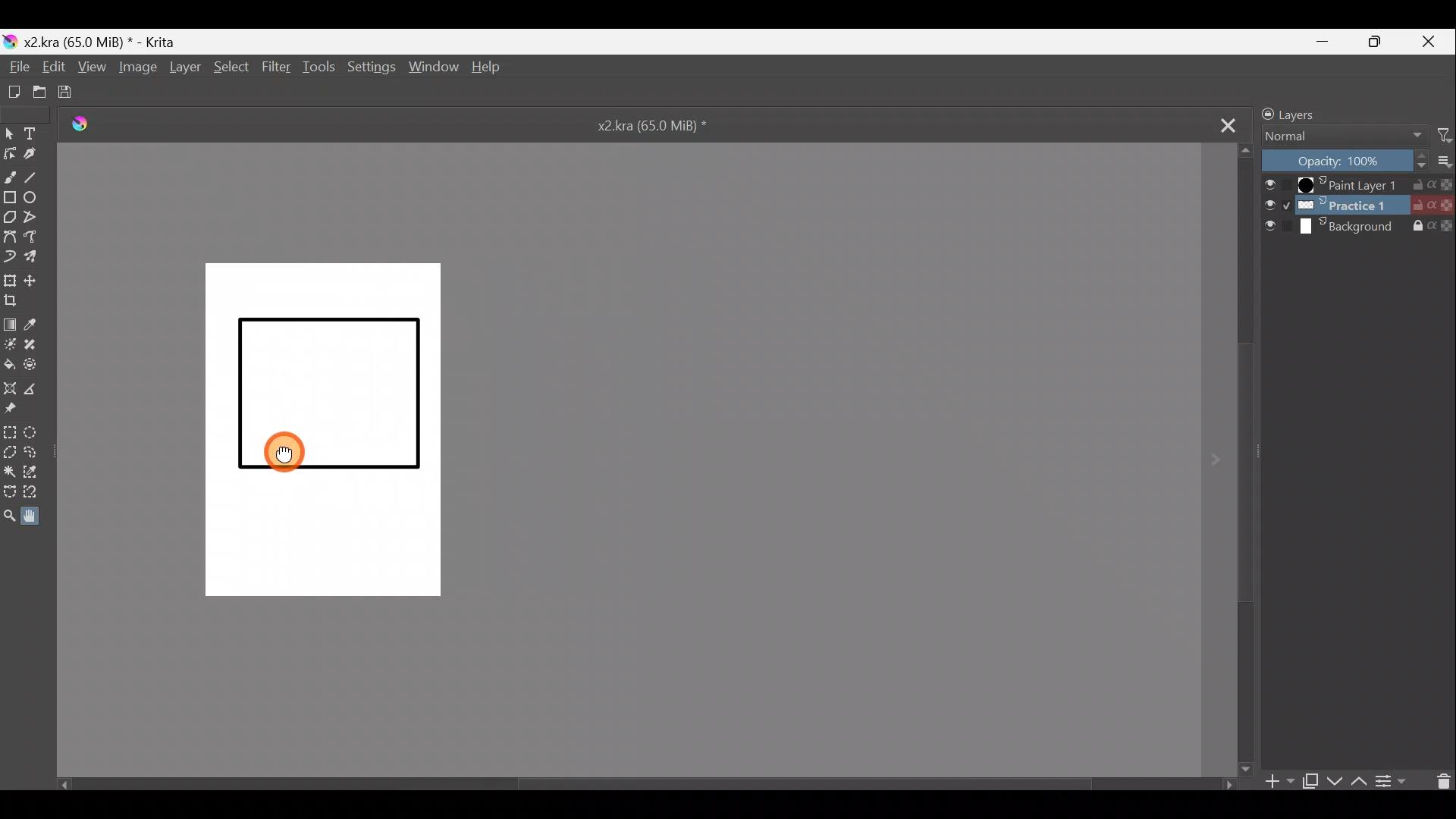 The image size is (1456, 819). I want to click on Lock/unlock docker, so click(1263, 113).